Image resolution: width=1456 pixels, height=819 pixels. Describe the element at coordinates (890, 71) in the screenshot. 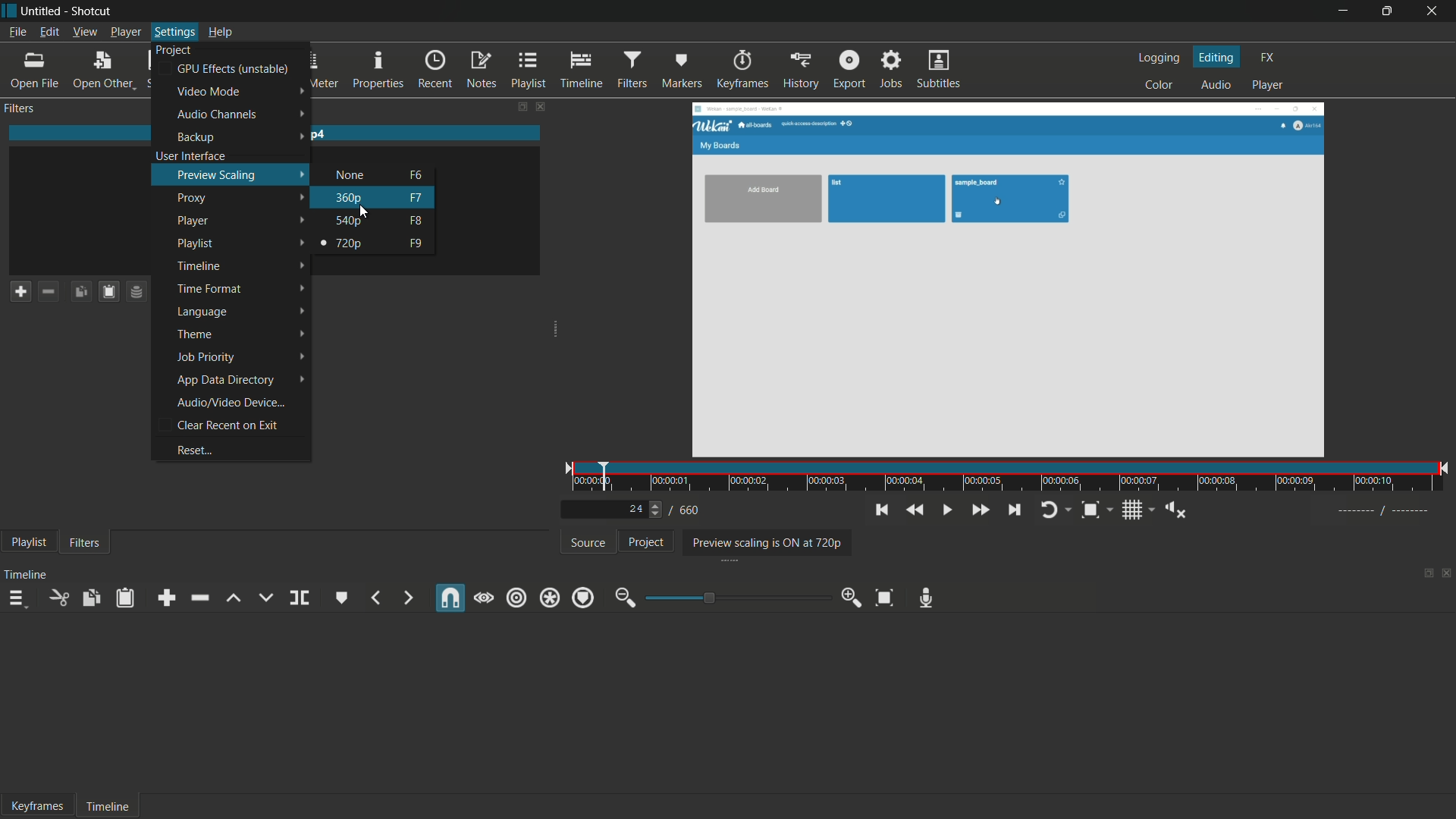

I see `jobs` at that location.